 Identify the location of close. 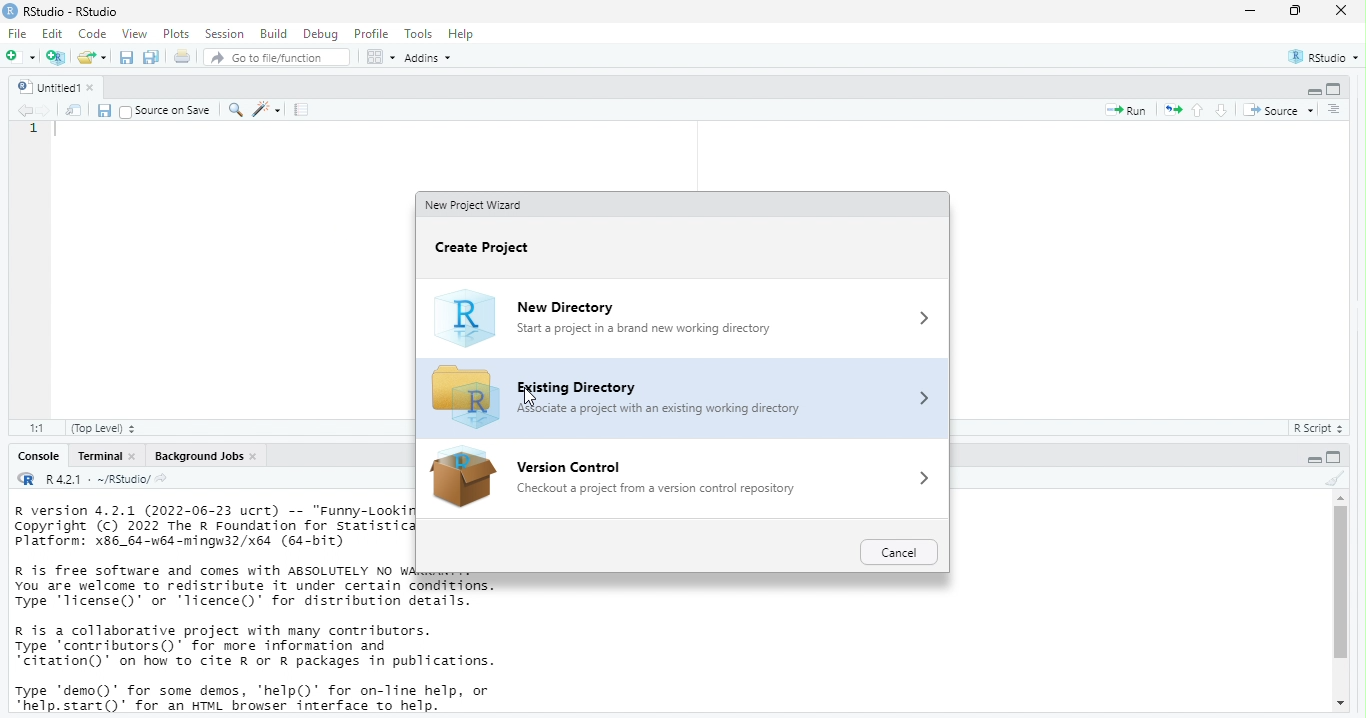
(257, 457).